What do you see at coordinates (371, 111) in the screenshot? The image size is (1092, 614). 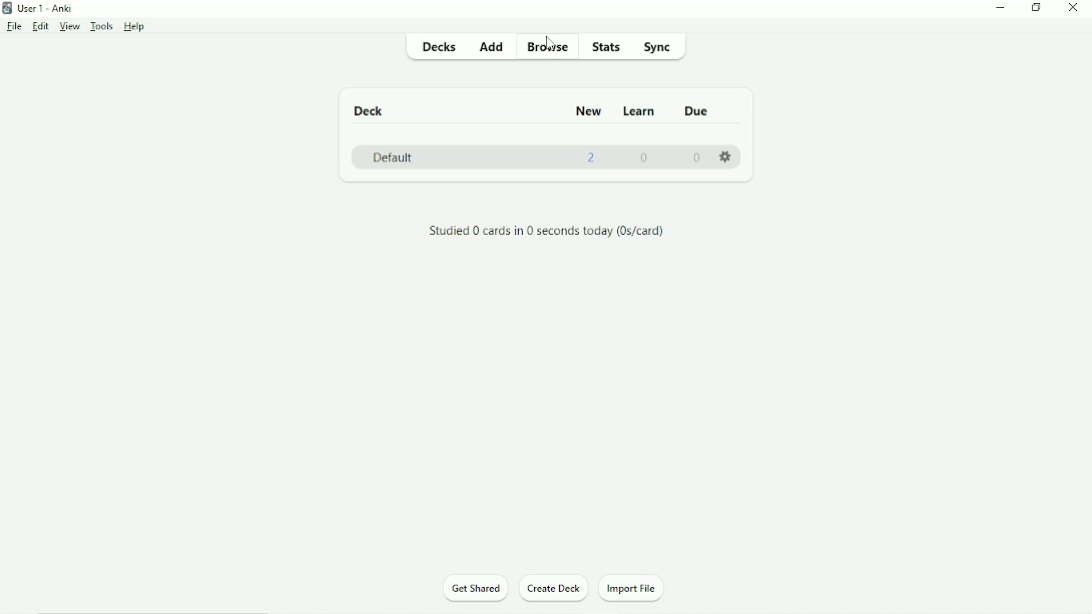 I see `Deck` at bounding box center [371, 111].